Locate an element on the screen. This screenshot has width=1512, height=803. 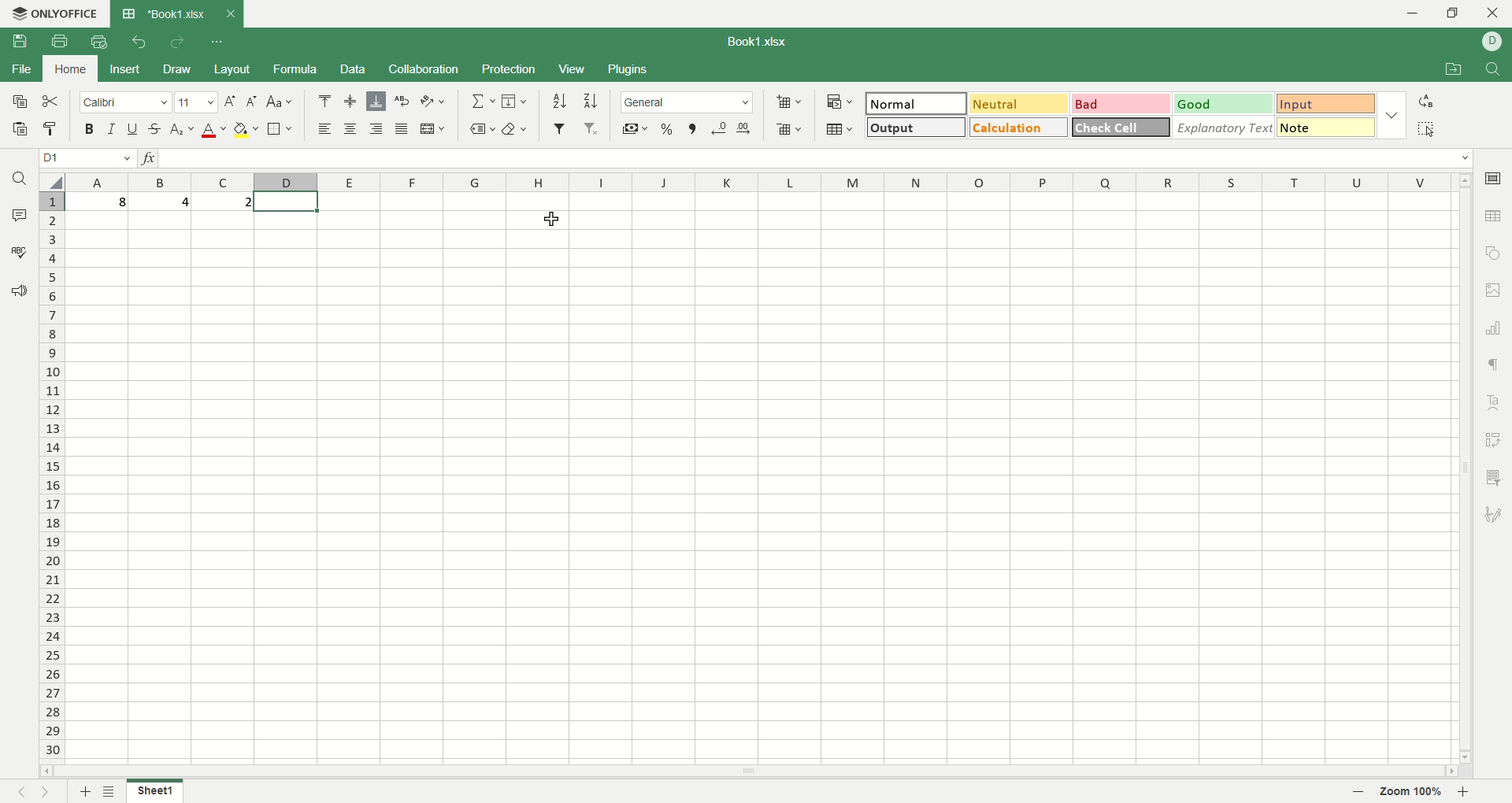
remove cell is located at coordinates (790, 129).